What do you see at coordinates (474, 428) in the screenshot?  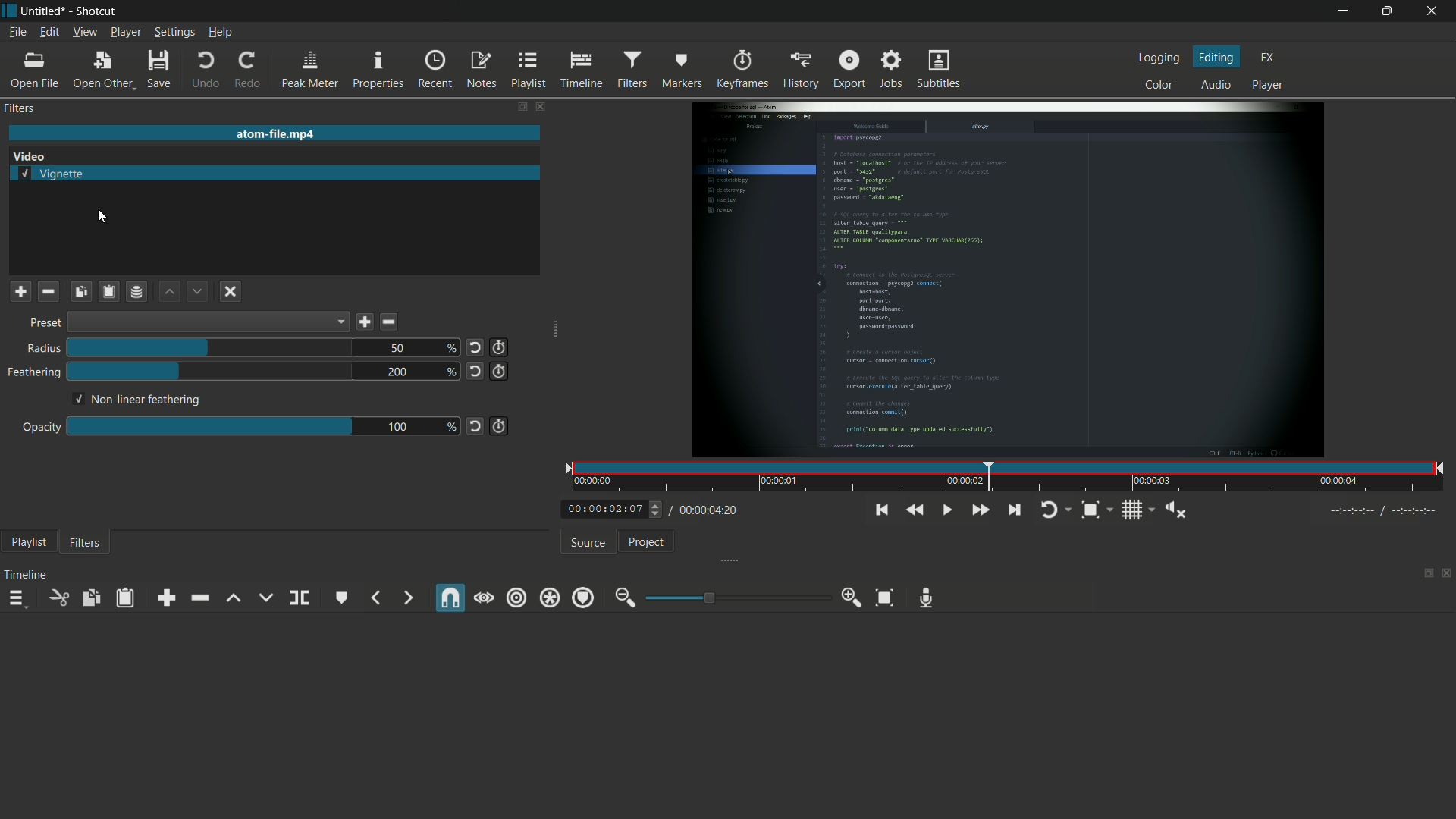 I see `reset to default` at bounding box center [474, 428].